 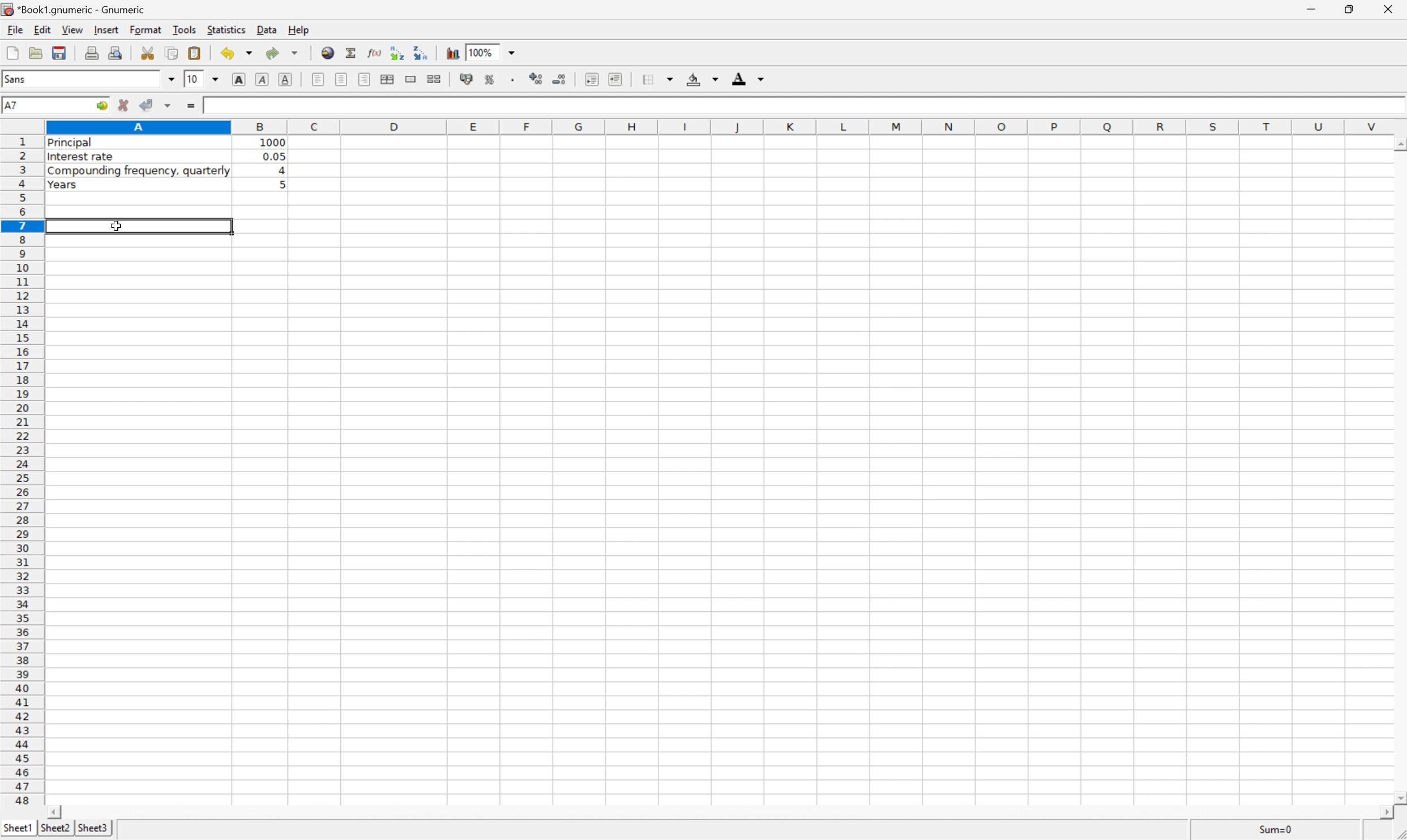 What do you see at coordinates (375, 53) in the screenshot?
I see `edit function in current cell` at bounding box center [375, 53].